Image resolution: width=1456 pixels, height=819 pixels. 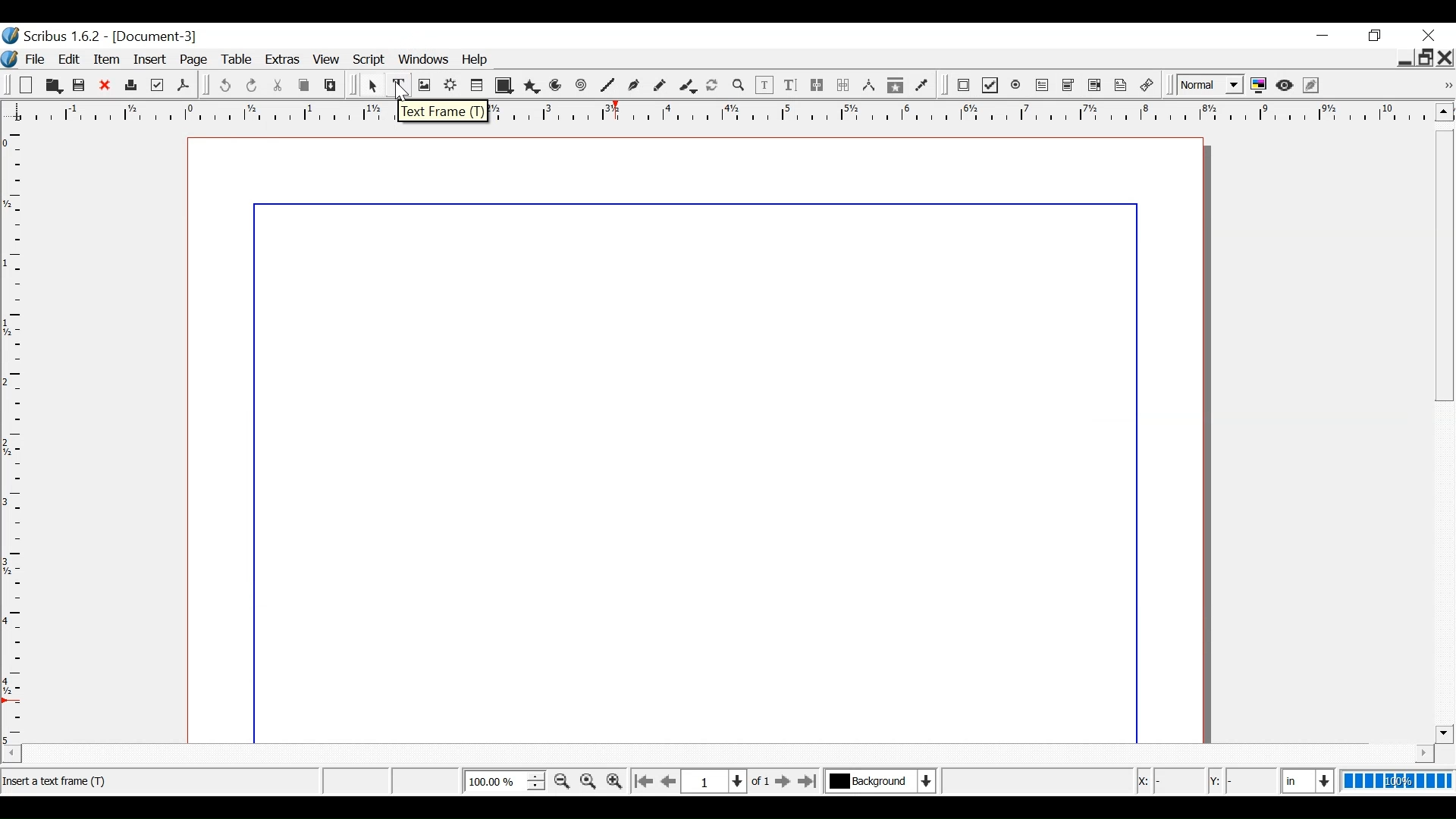 What do you see at coordinates (399, 86) in the screenshot?
I see `Text Frame` at bounding box center [399, 86].